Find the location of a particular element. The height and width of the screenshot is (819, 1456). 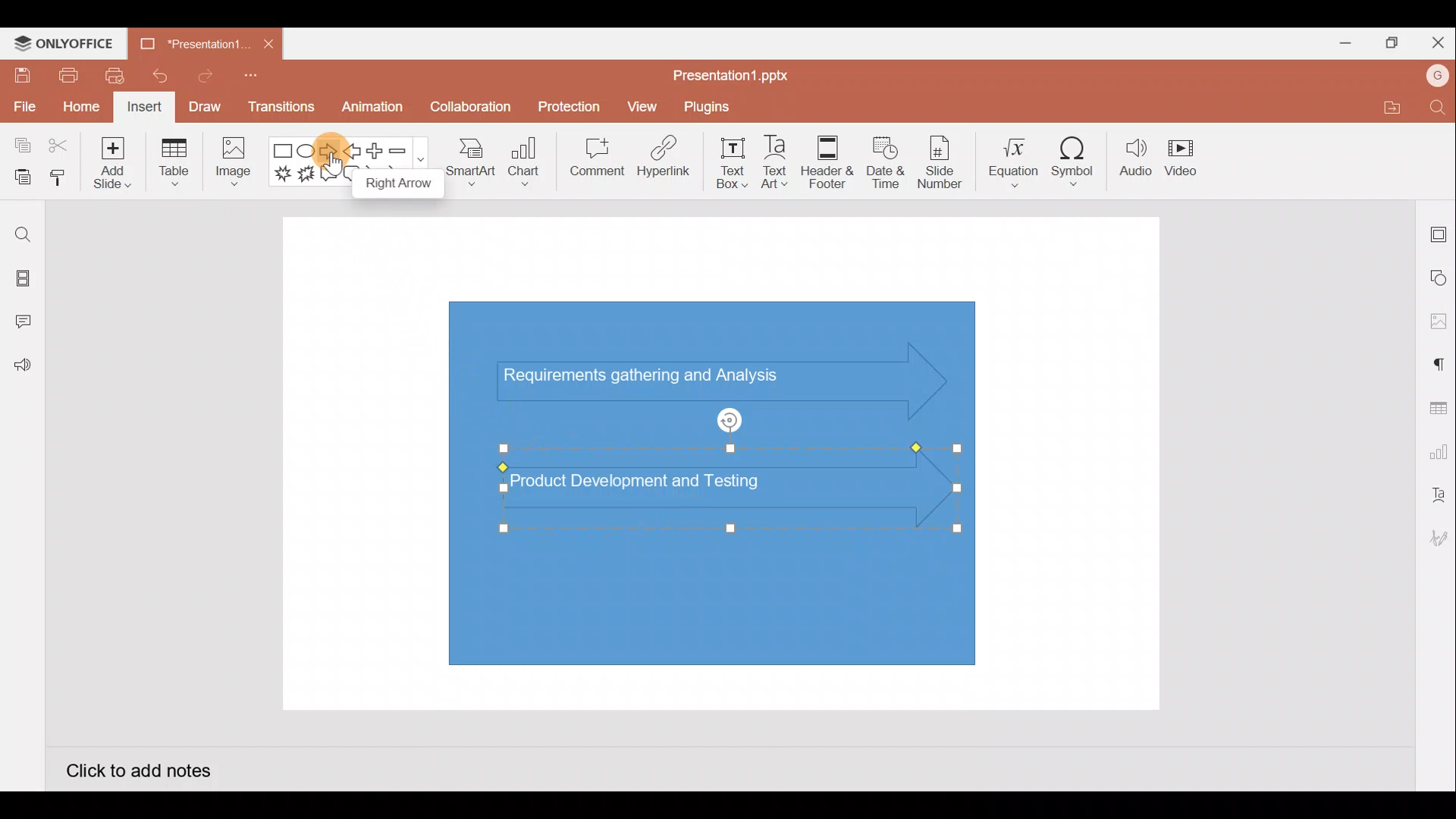

Chart settings is located at coordinates (1436, 449).